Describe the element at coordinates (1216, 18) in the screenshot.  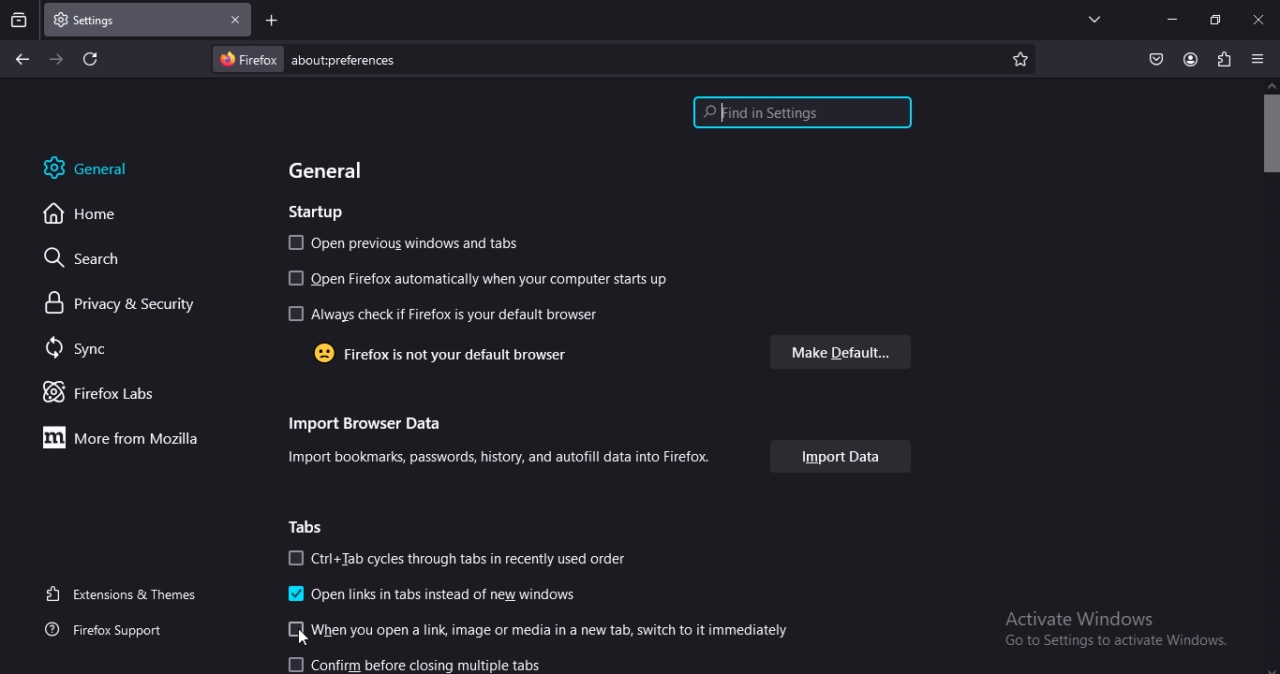
I see `restore windows` at that location.